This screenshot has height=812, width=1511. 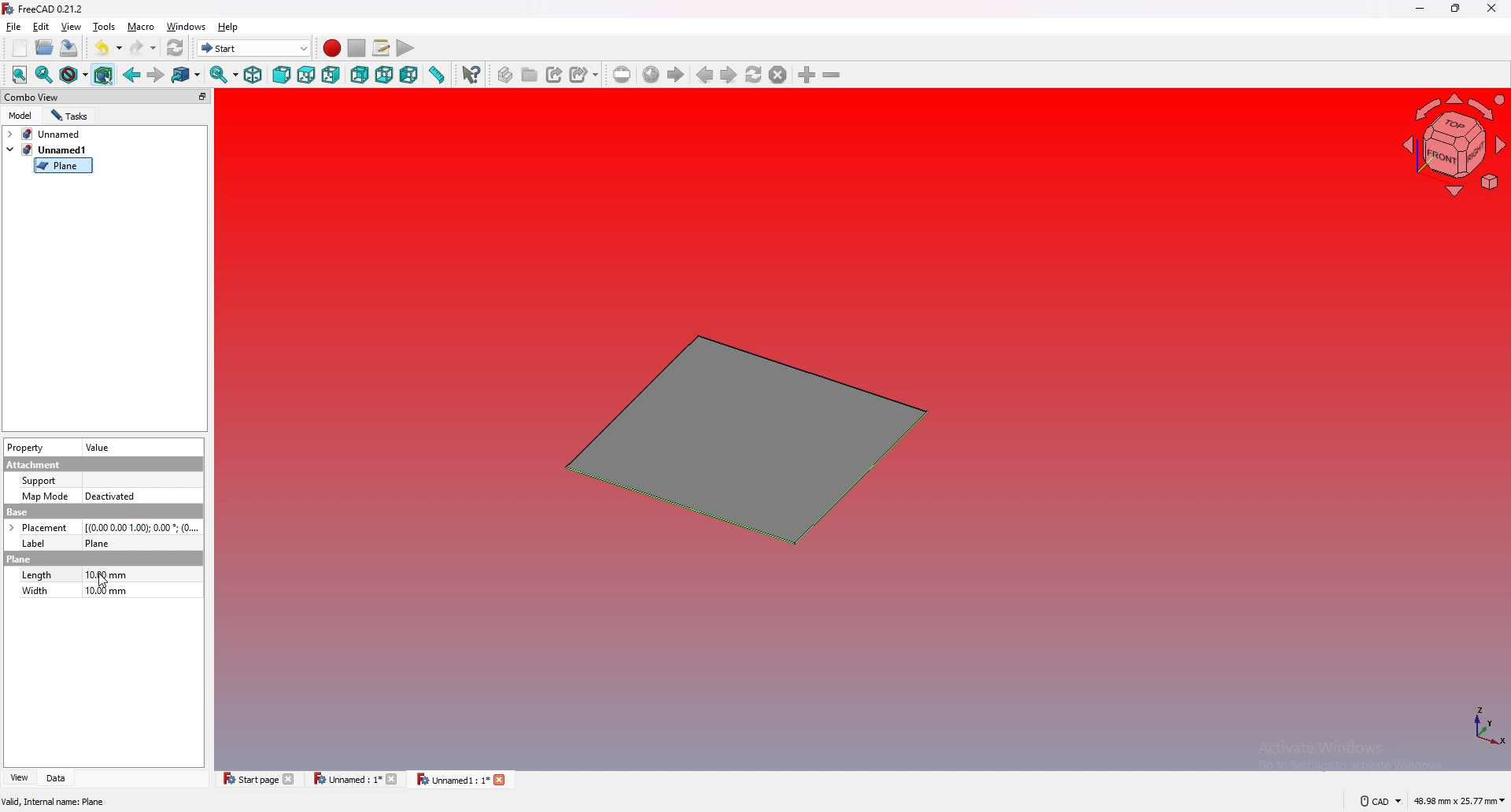 I want to click on data, so click(x=59, y=778).